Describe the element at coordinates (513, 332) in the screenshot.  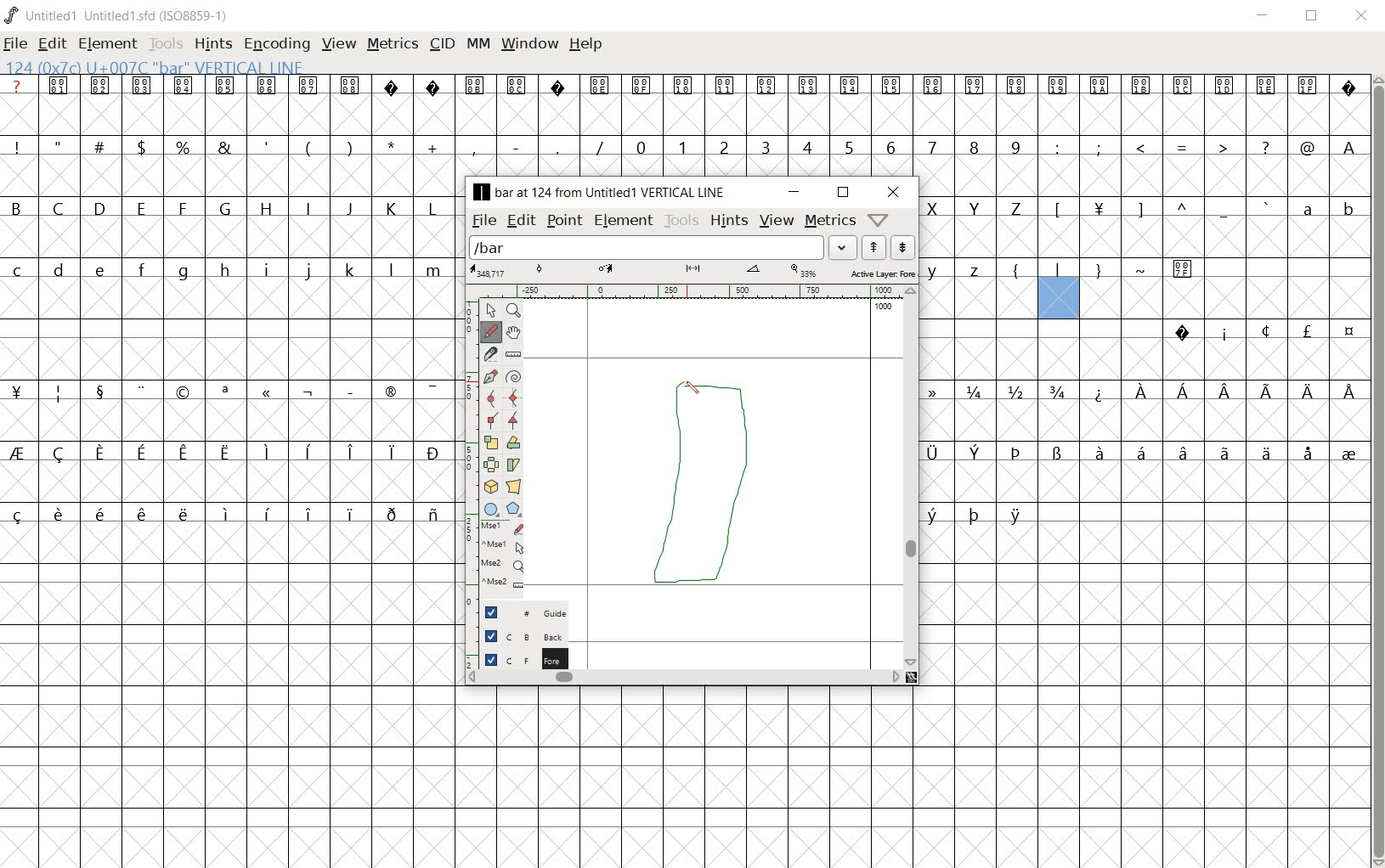
I see `scroll by hand` at that location.